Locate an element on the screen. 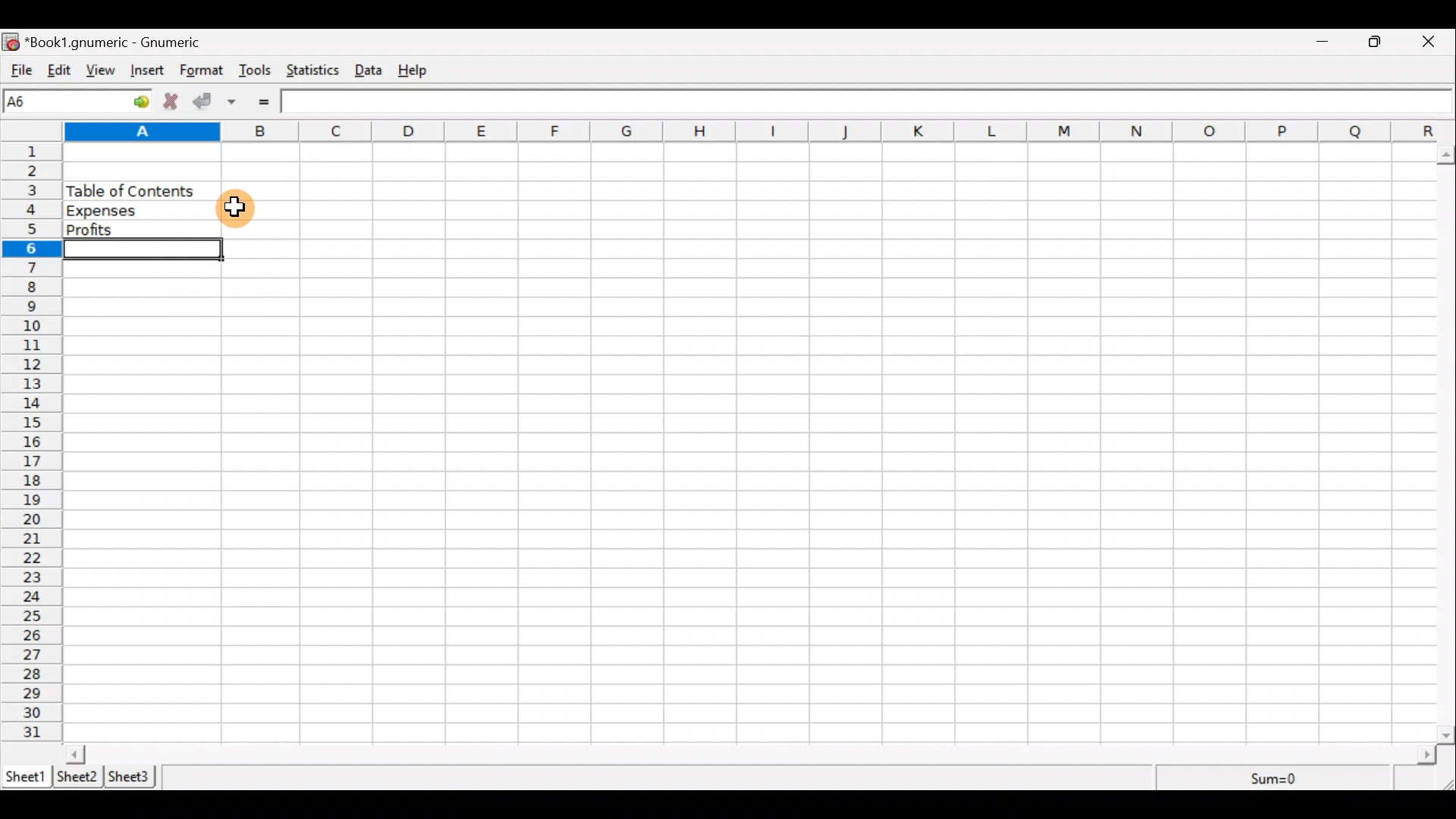  Enter formula is located at coordinates (272, 102).